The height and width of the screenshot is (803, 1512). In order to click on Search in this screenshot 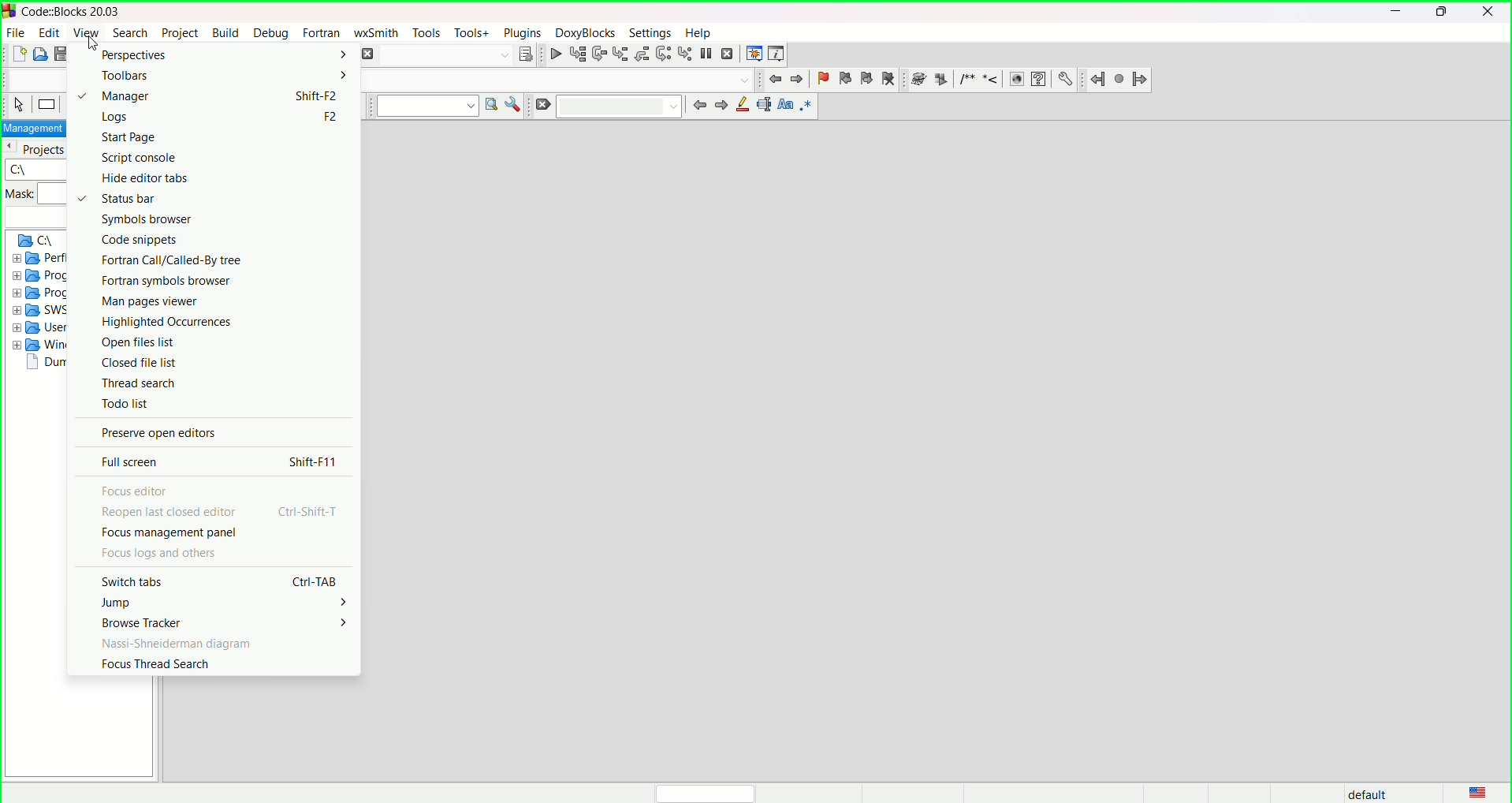, I will do `click(446, 56)`.